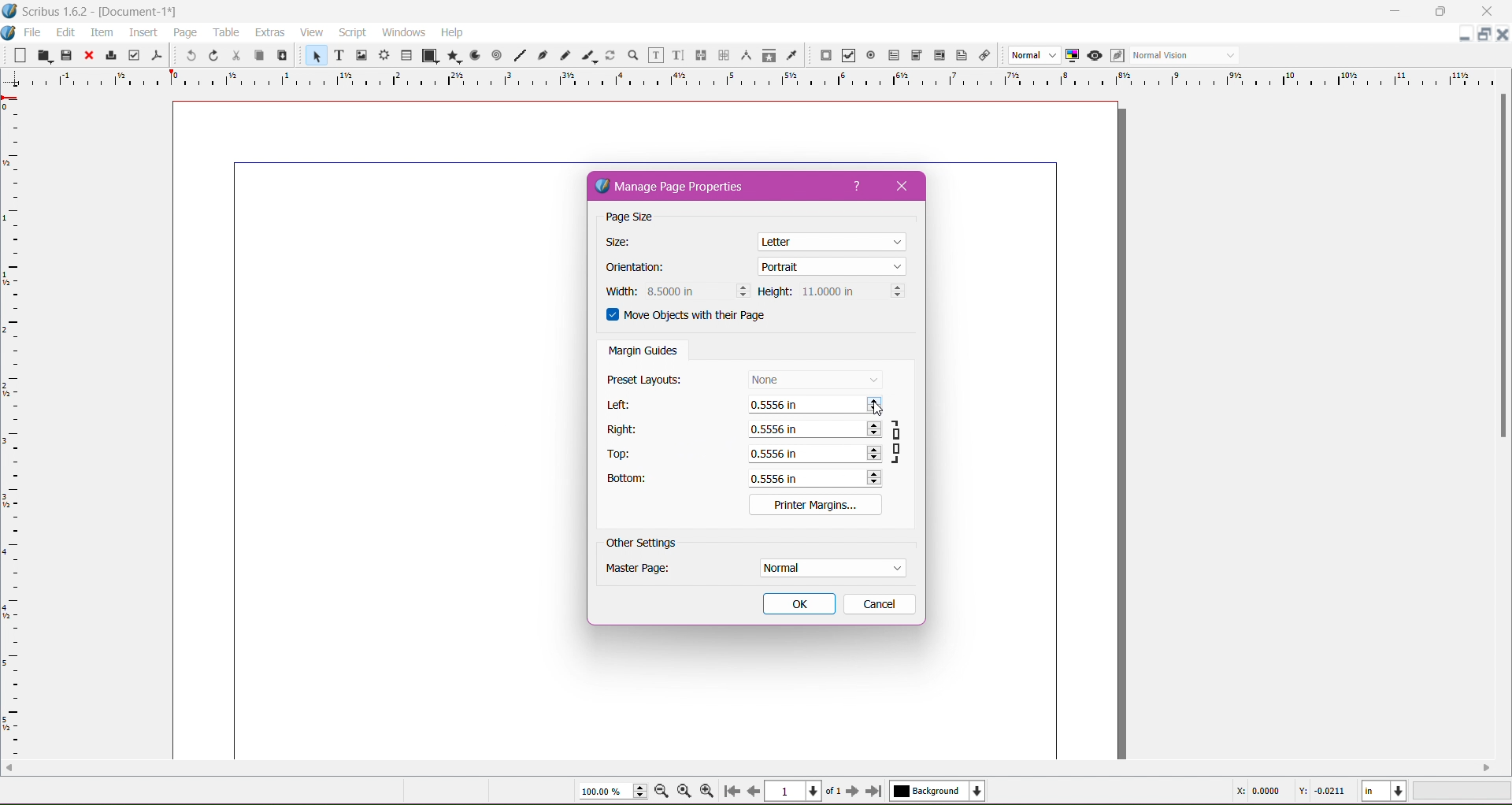  I want to click on Horizontal Scroll Bar, so click(748, 768).